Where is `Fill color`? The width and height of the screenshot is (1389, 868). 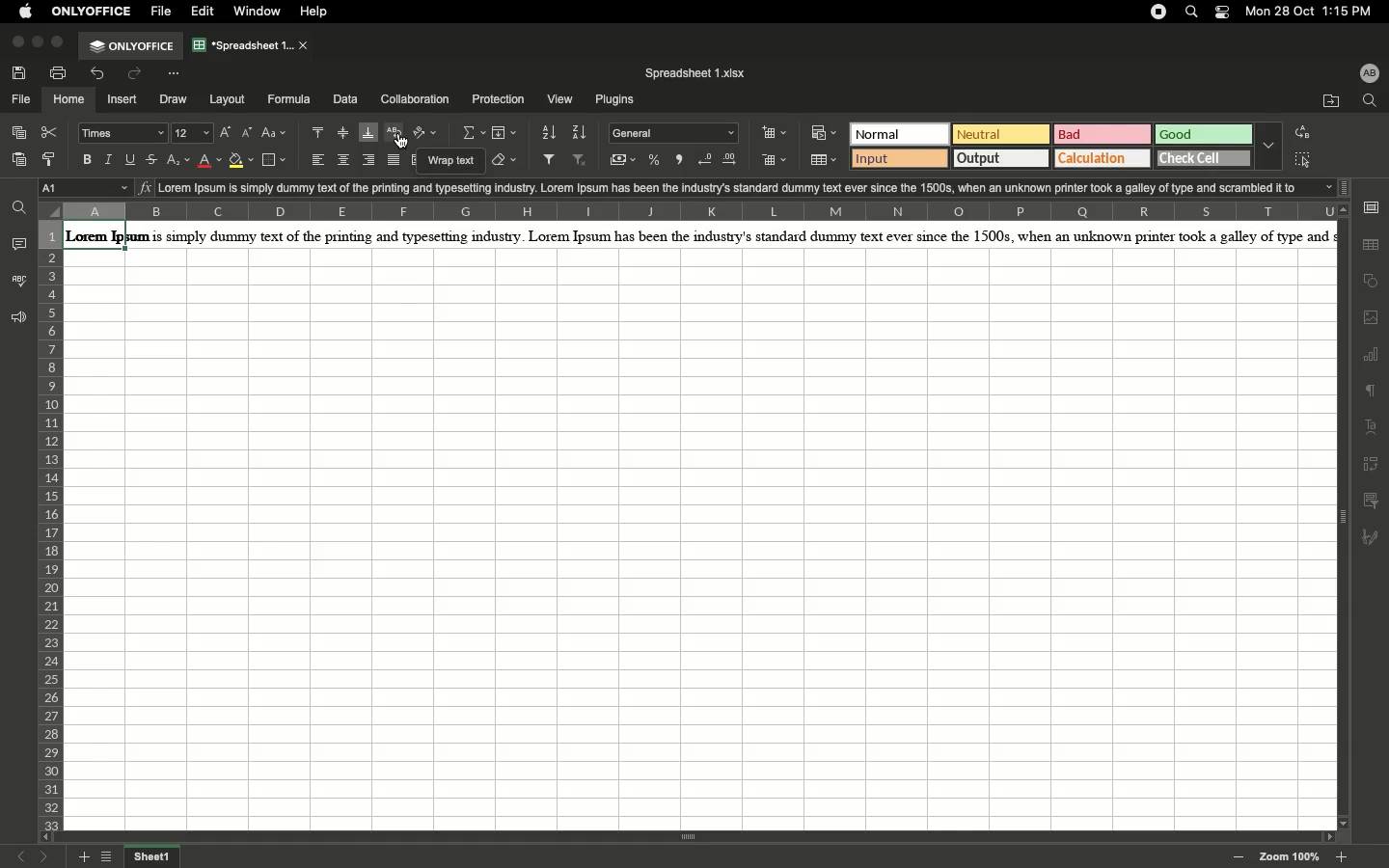
Fill color is located at coordinates (241, 162).